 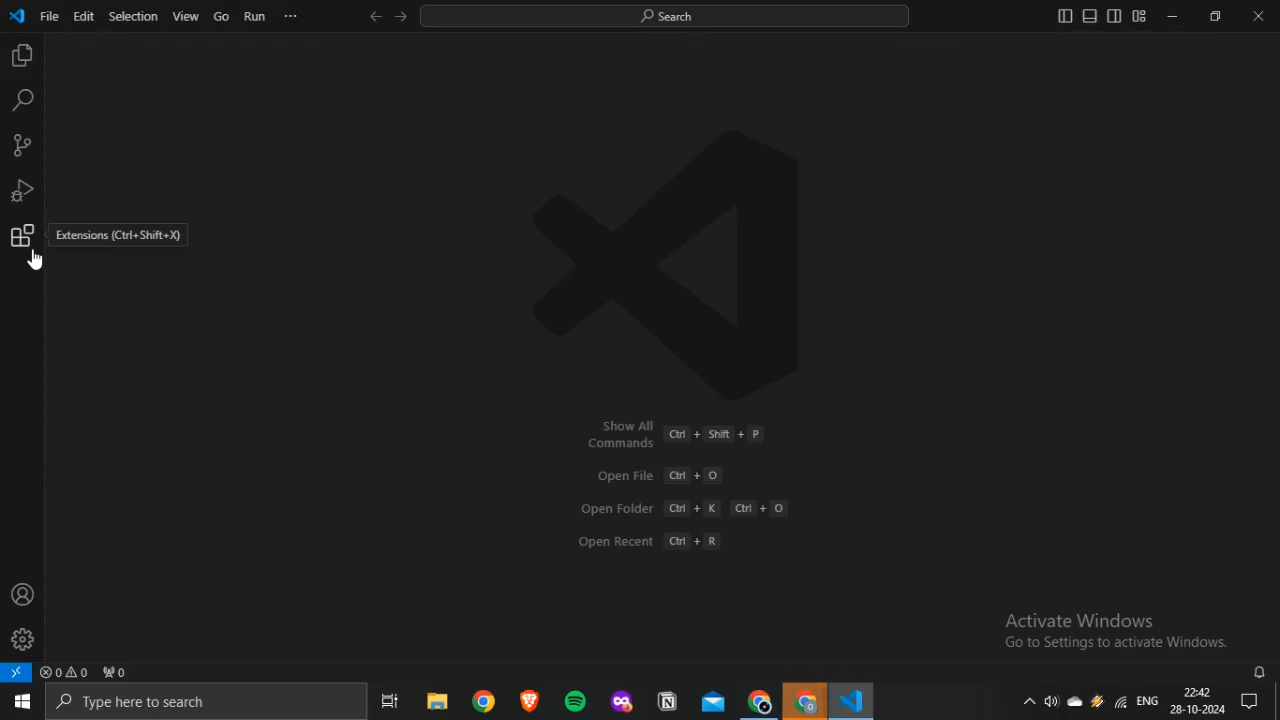 I want to click on no ports forwarded, so click(x=115, y=672).